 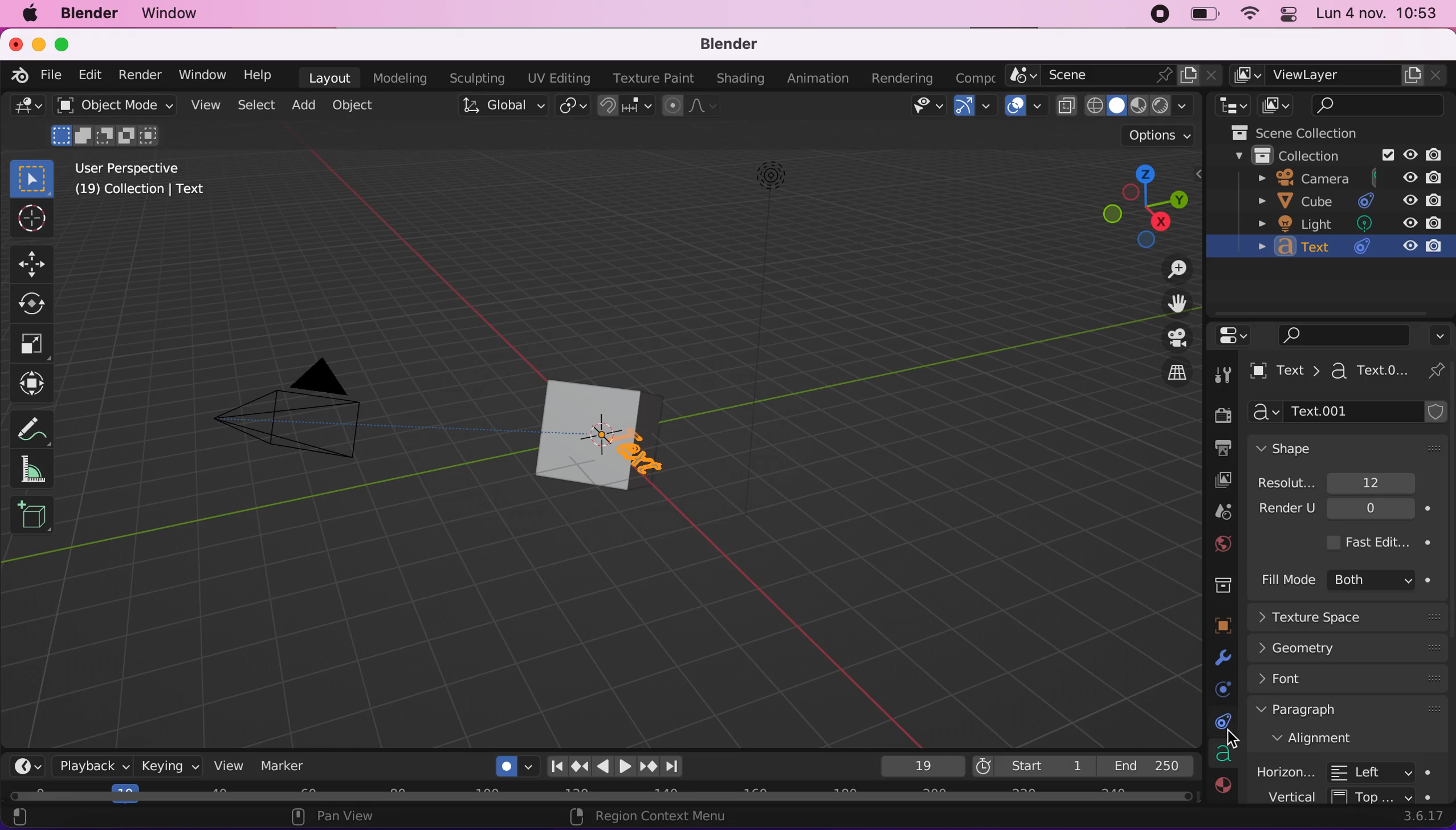 What do you see at coordinates (1223, 543) in the screenshot?
I see `world` at bounding box center [1223, 543].